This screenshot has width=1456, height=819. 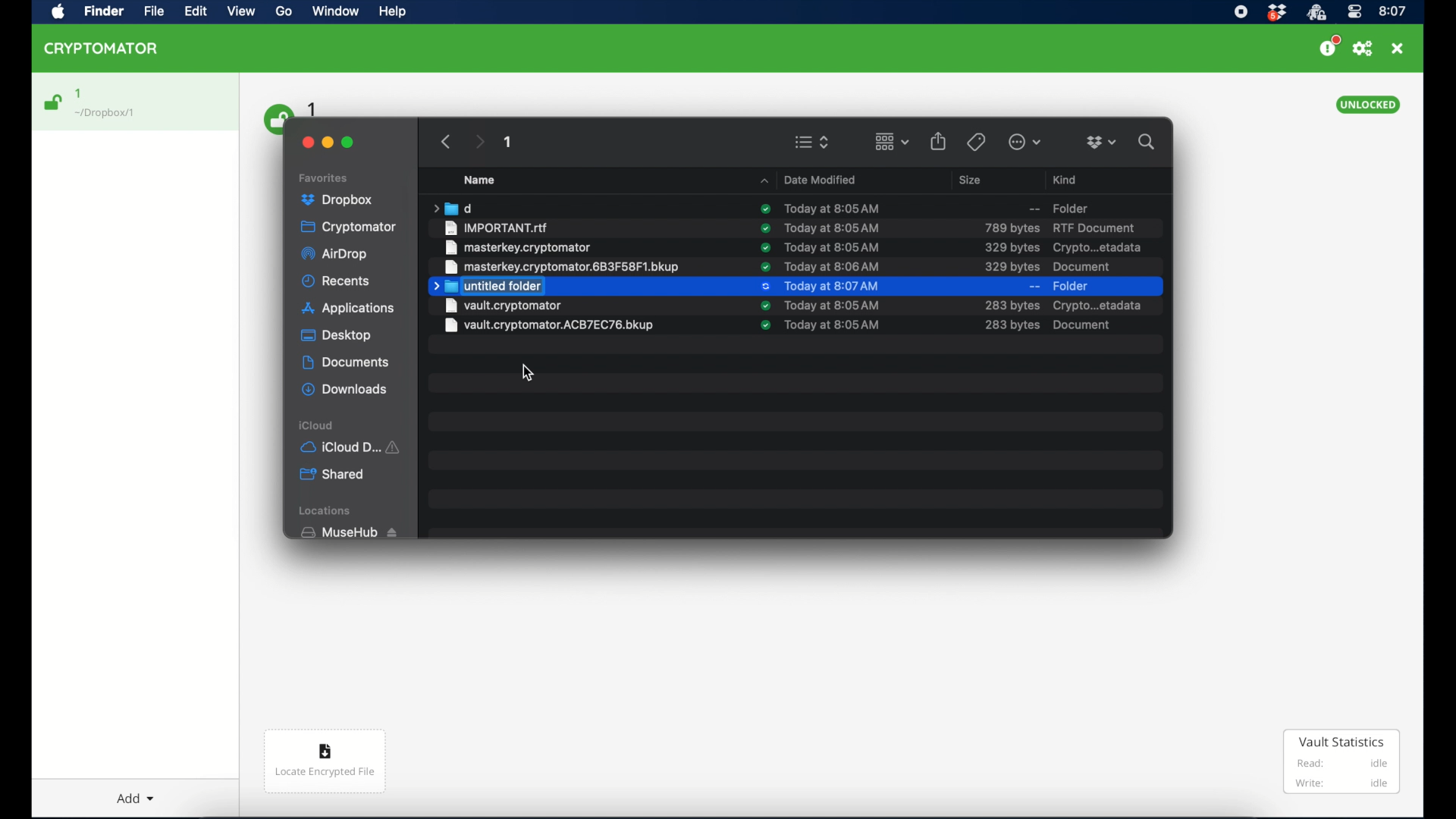 I want to click on date, so click(x=830, y=207).